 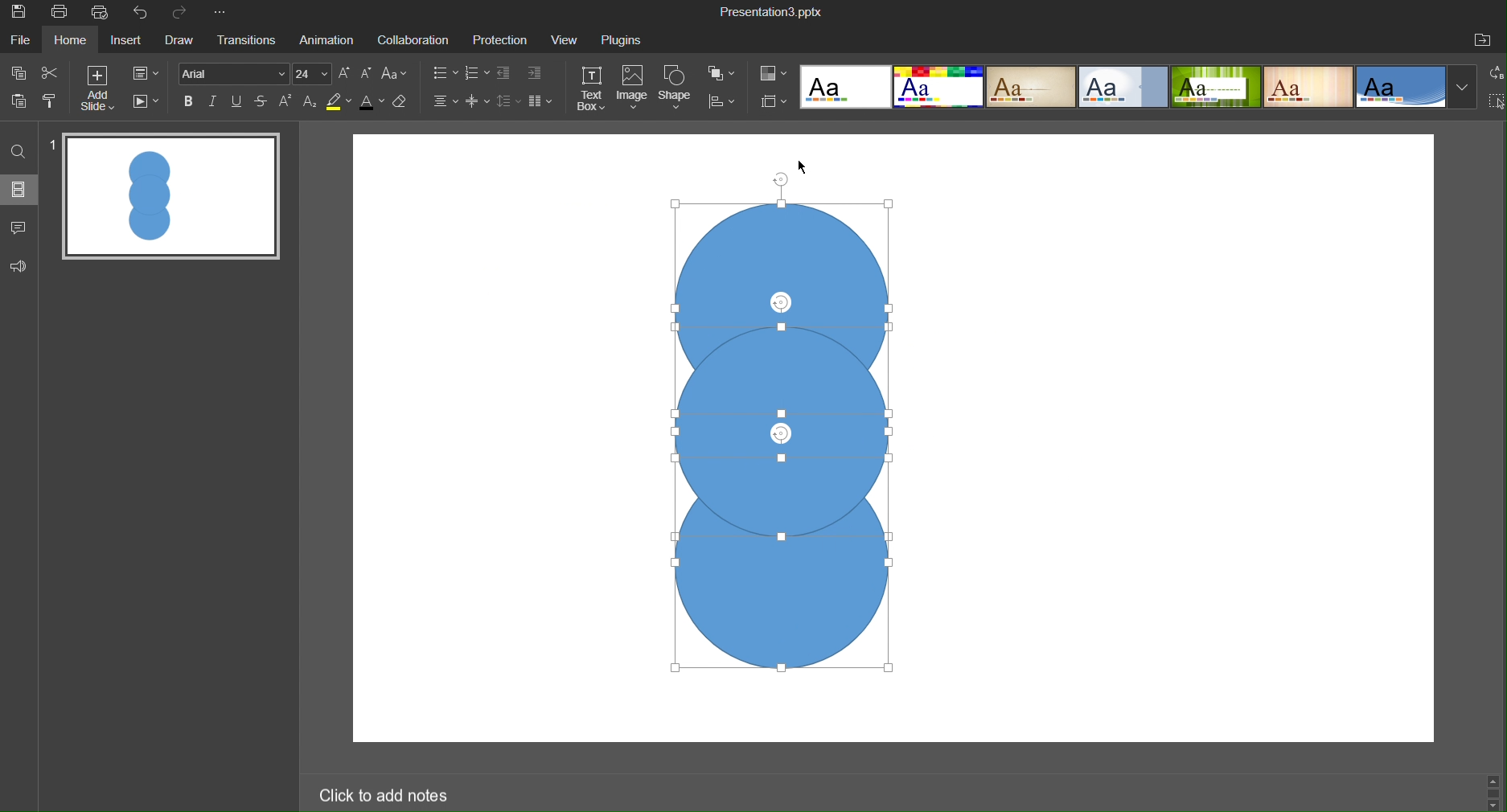 I want to click on Plugins, so click(x=628, y=39).